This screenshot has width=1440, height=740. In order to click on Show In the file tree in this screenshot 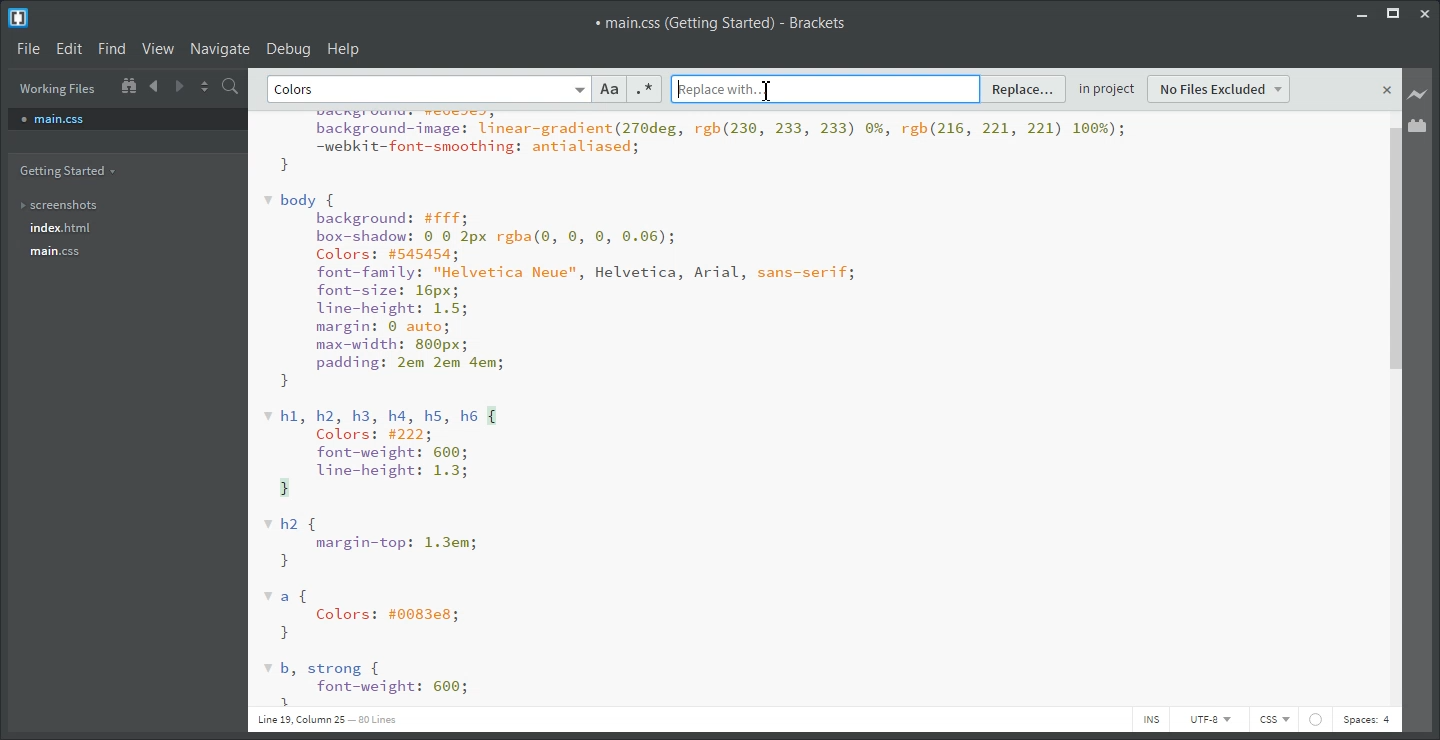, I will do `click(128, 84)`.